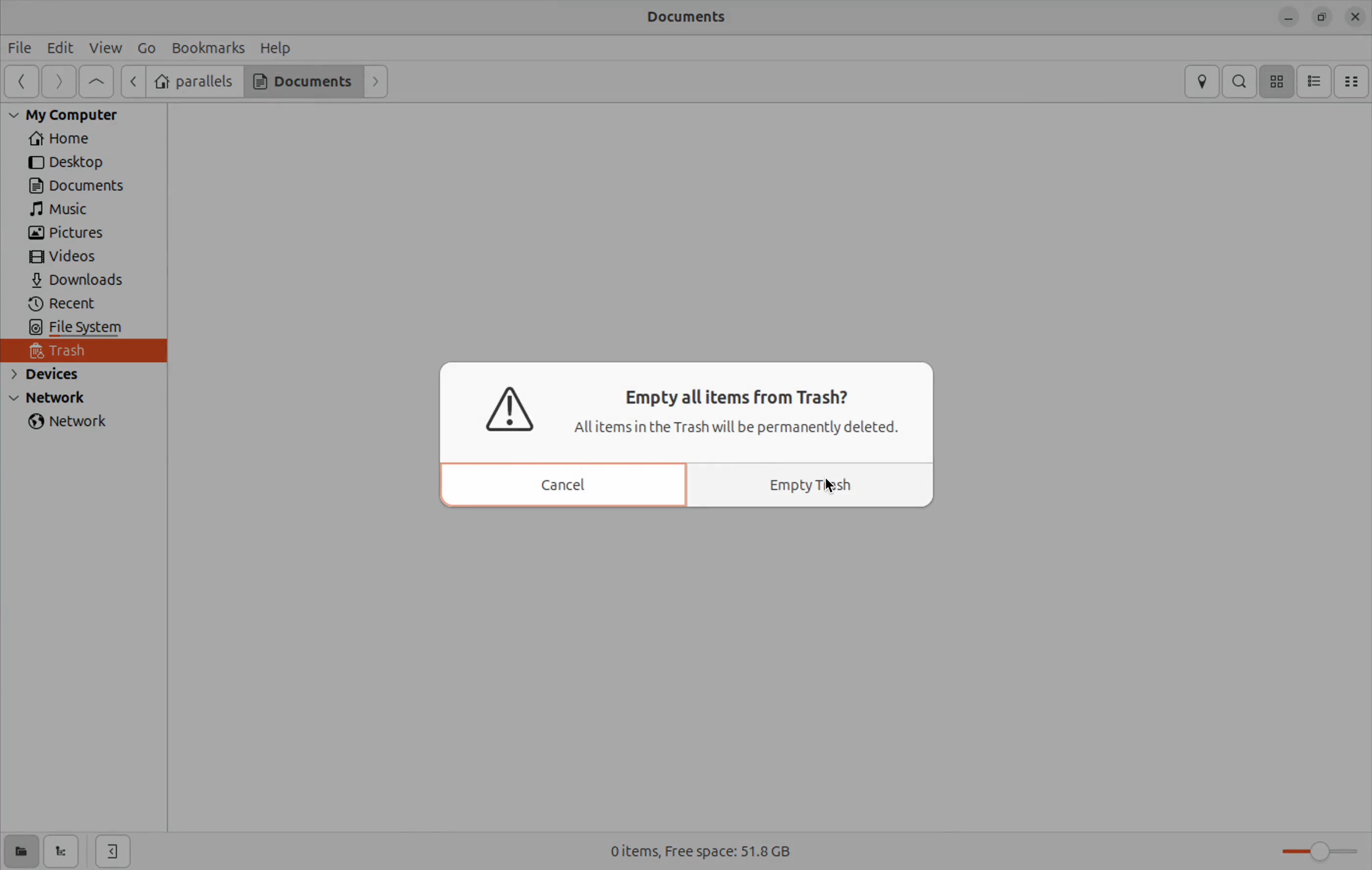 Image resolution: width=1372 pixels, height=870 pixels. What do you see at coordinates (86, 328) in the screenshot?
I see `file system` at bounding box center [86, 328].